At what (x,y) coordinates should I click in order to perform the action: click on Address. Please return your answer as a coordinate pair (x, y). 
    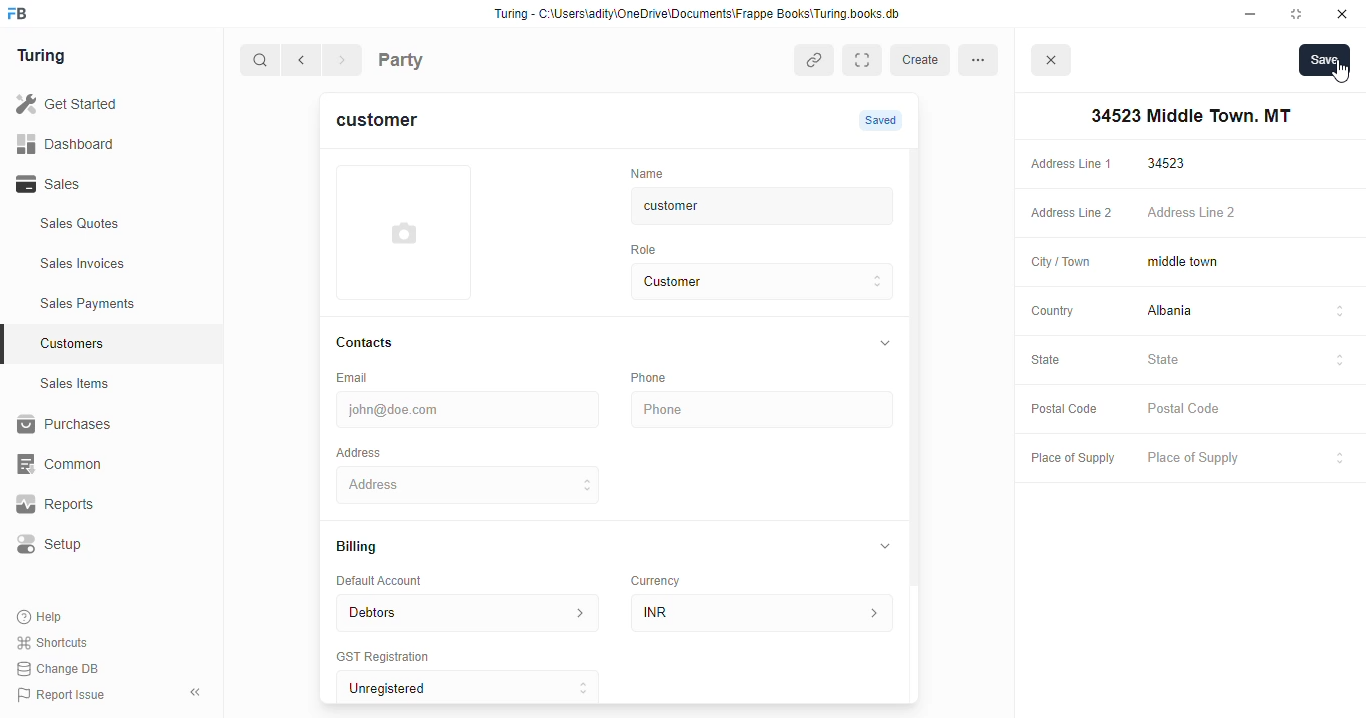
    Looking at the image, I should click on (372, 451).